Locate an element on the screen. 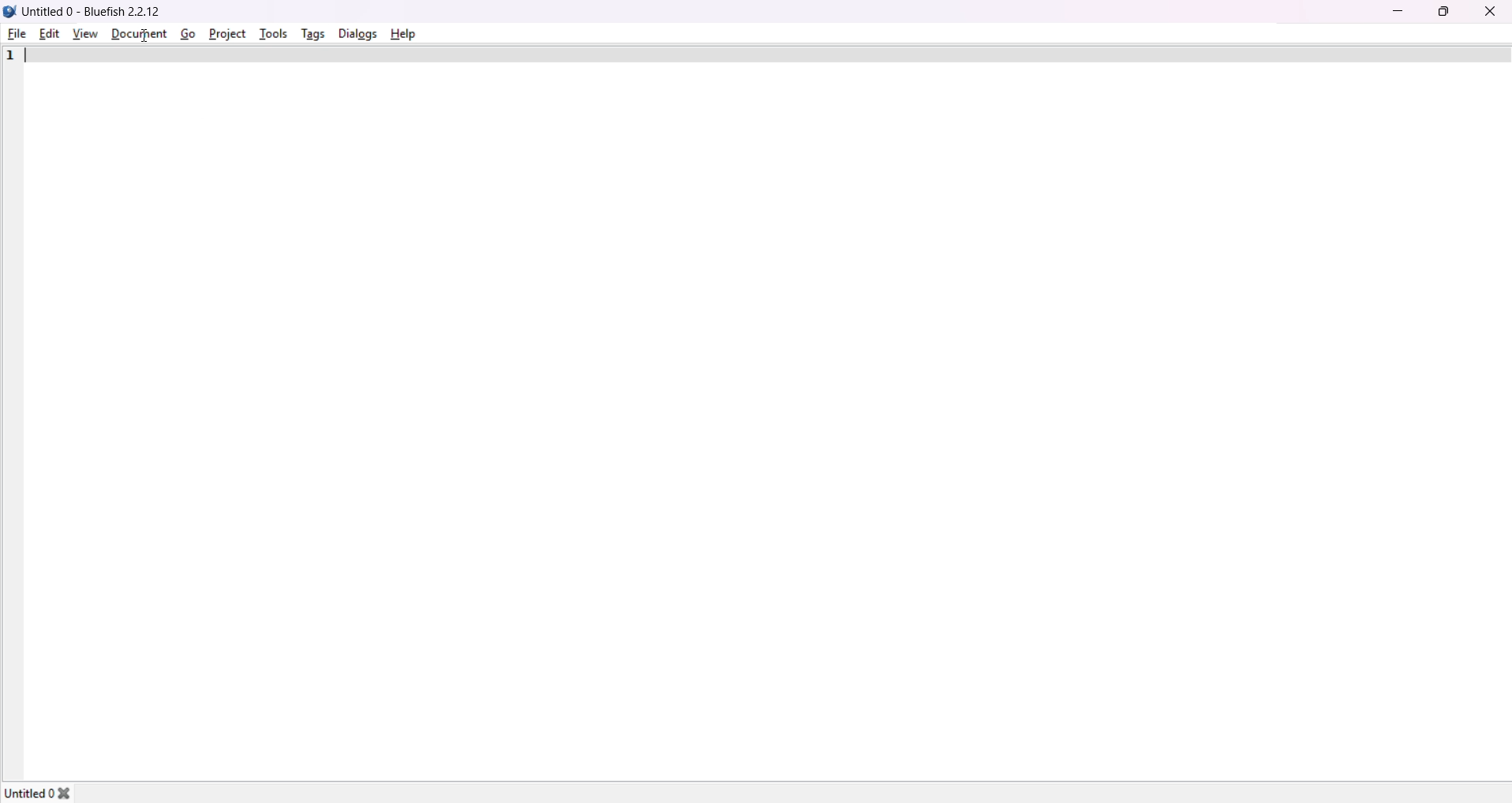  close tab is located at coordinates (75, 790).